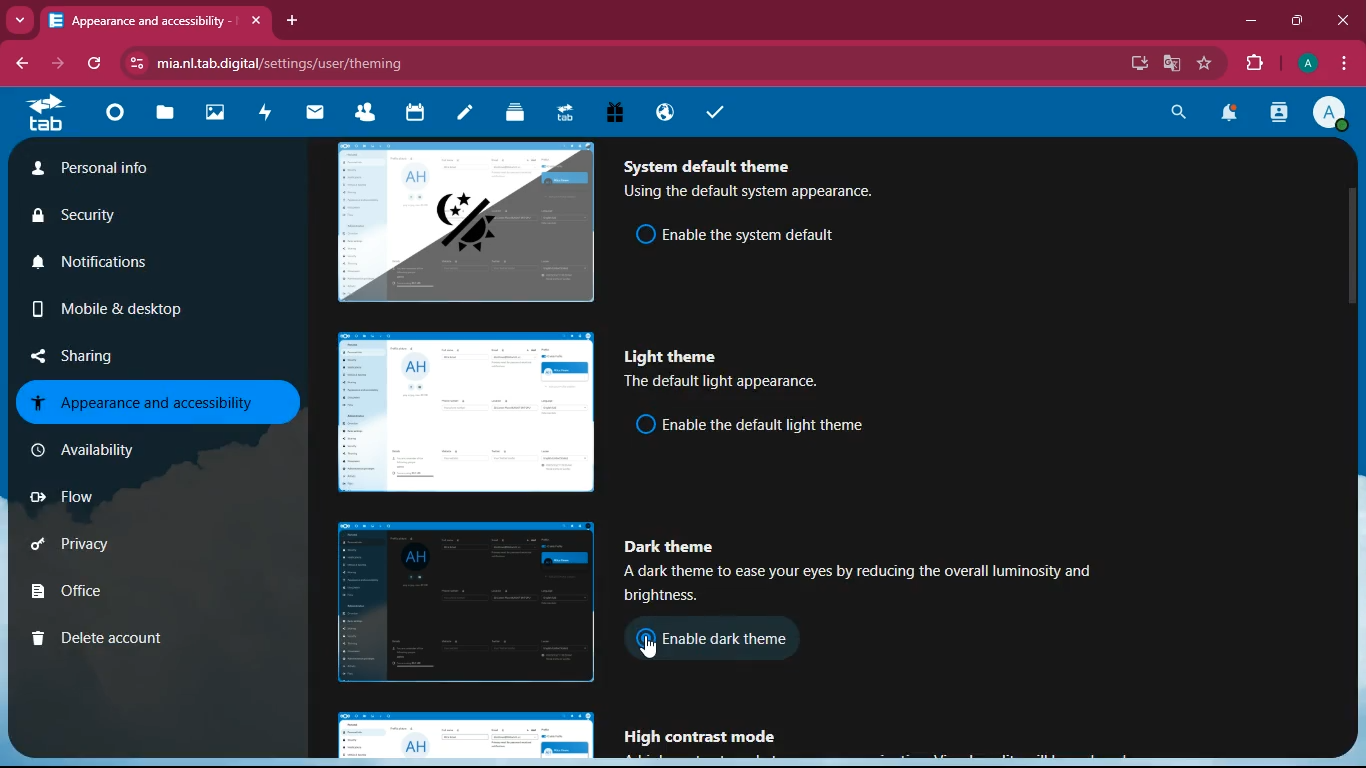  Describe the element at coordinates (258, 21) in the screenshot. I see `close tab` at that location.